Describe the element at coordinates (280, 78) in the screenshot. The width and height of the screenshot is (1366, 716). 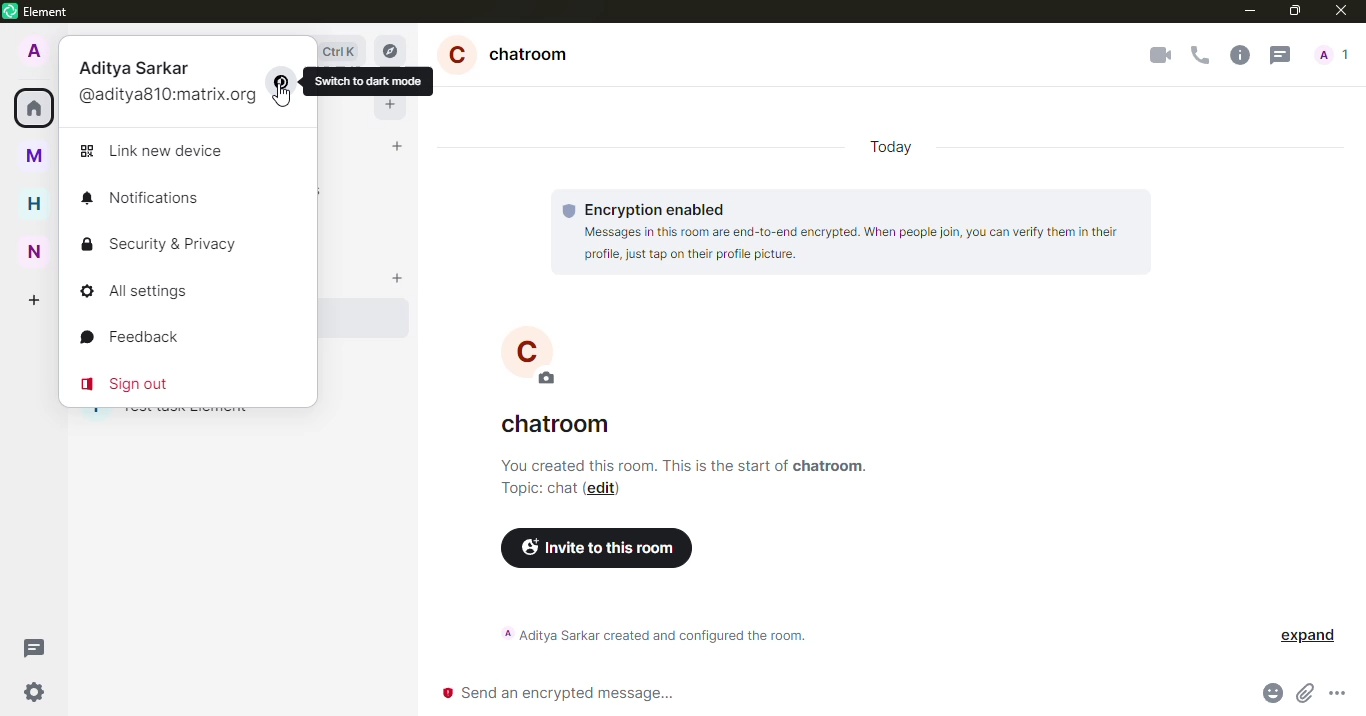
I see `switch mode` at that location.